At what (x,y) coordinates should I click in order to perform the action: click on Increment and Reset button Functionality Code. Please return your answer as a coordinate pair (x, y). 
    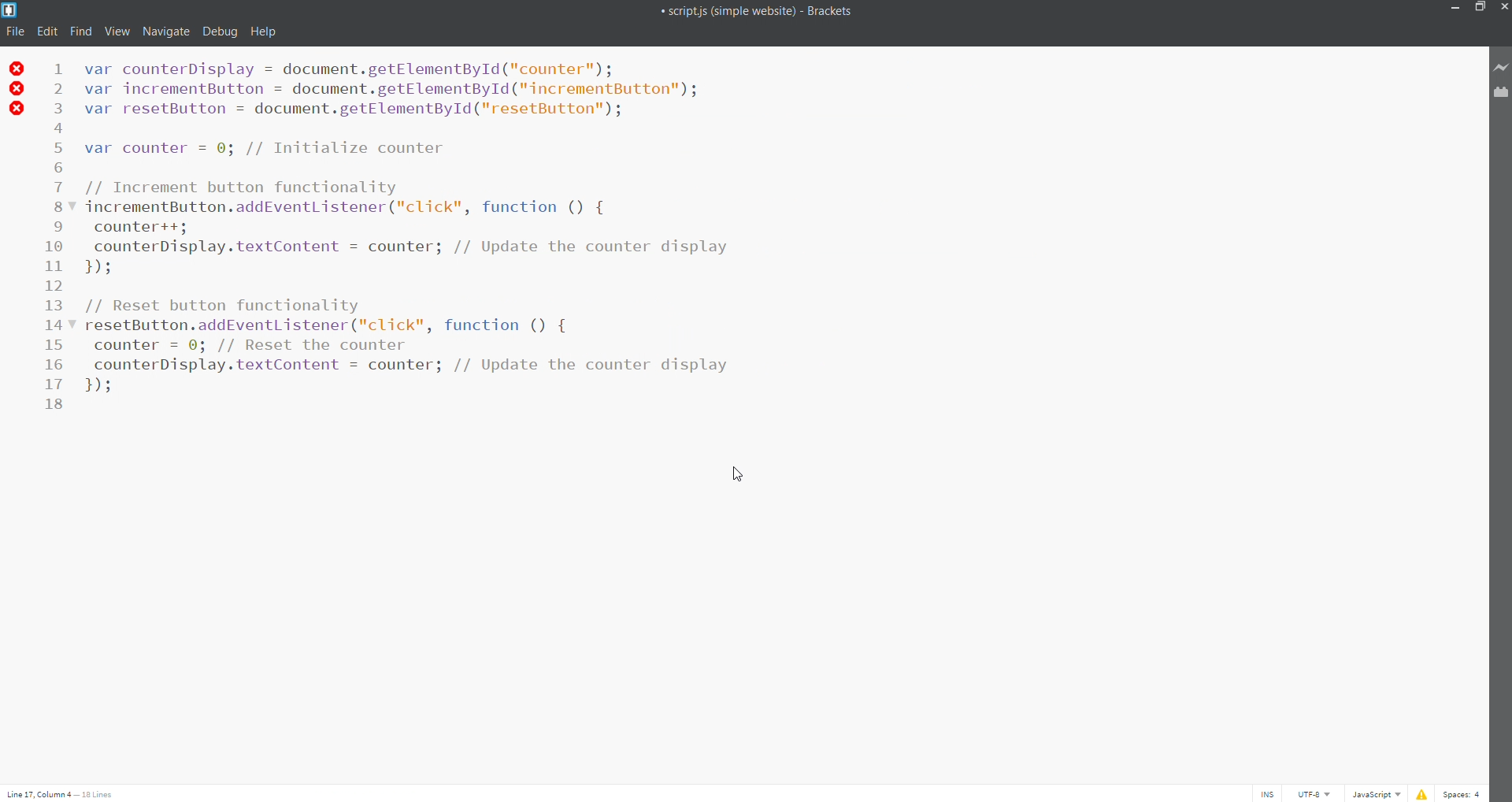
    Looking at the image, I should click on (421, 225).